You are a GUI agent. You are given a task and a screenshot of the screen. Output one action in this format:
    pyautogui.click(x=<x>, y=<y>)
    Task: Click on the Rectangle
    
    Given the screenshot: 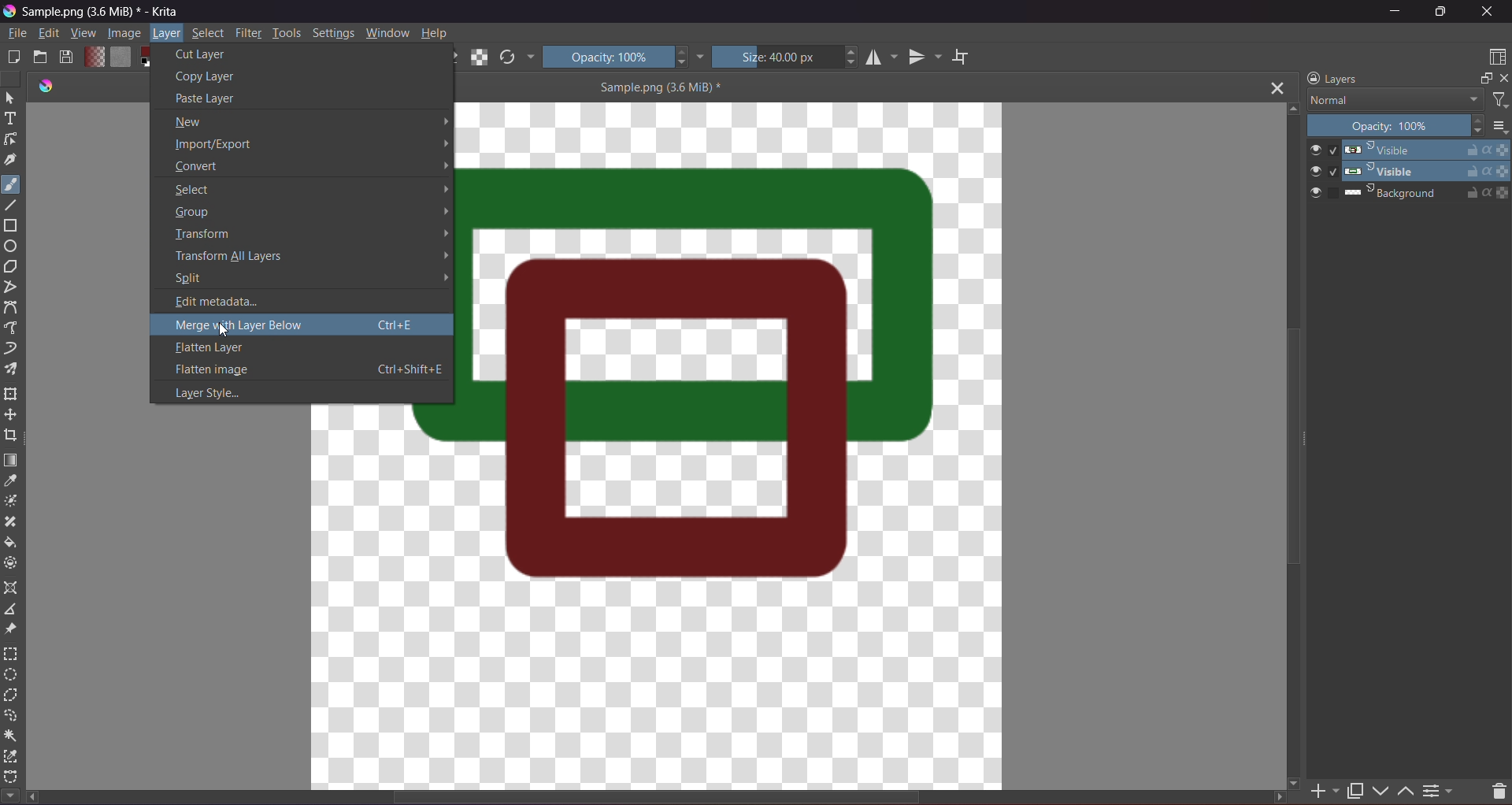 What is the action you would take?
    pyautogui.click(x=13, y=228)
    